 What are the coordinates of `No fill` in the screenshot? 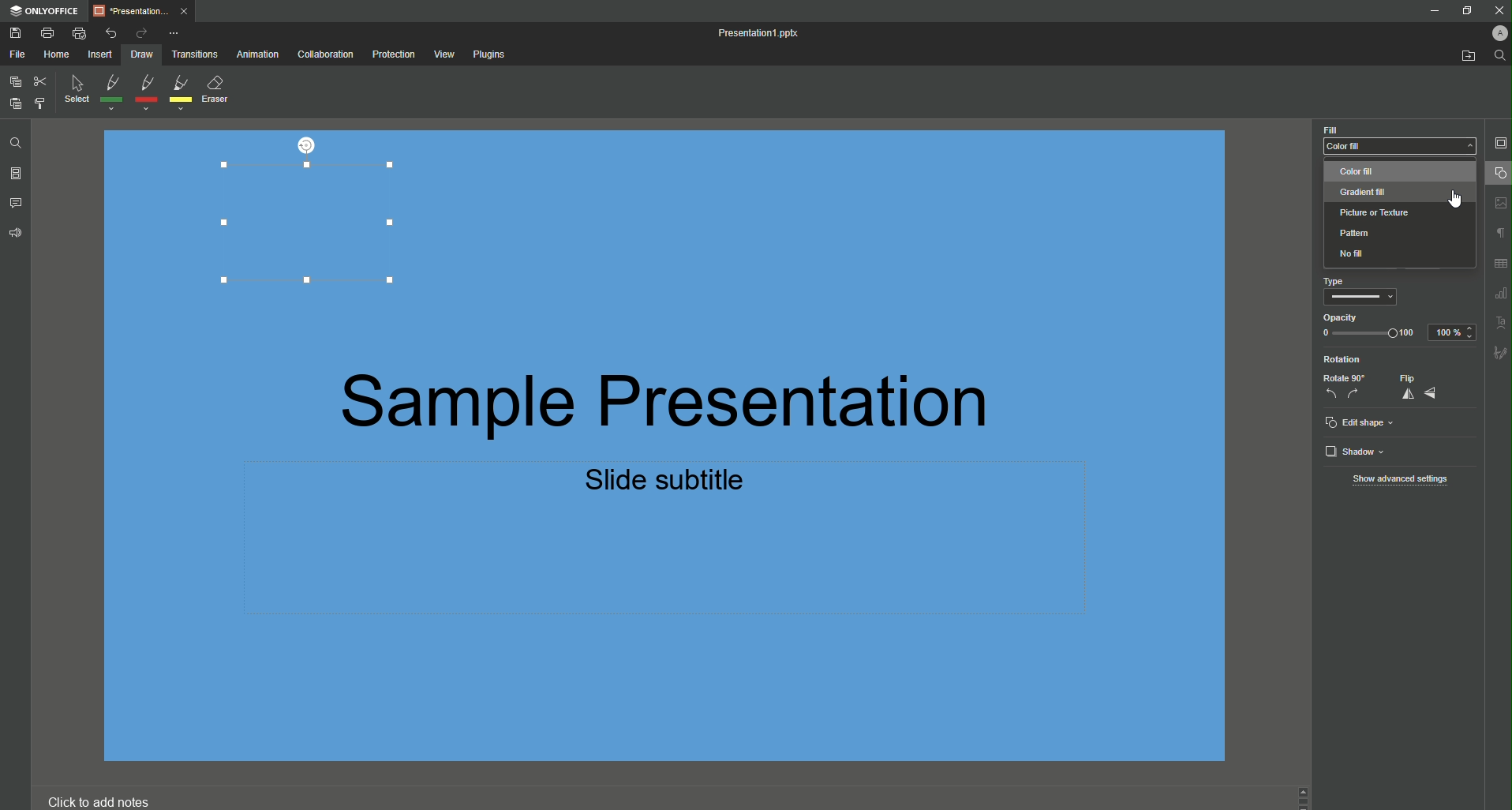 It's located at (1353, 254).